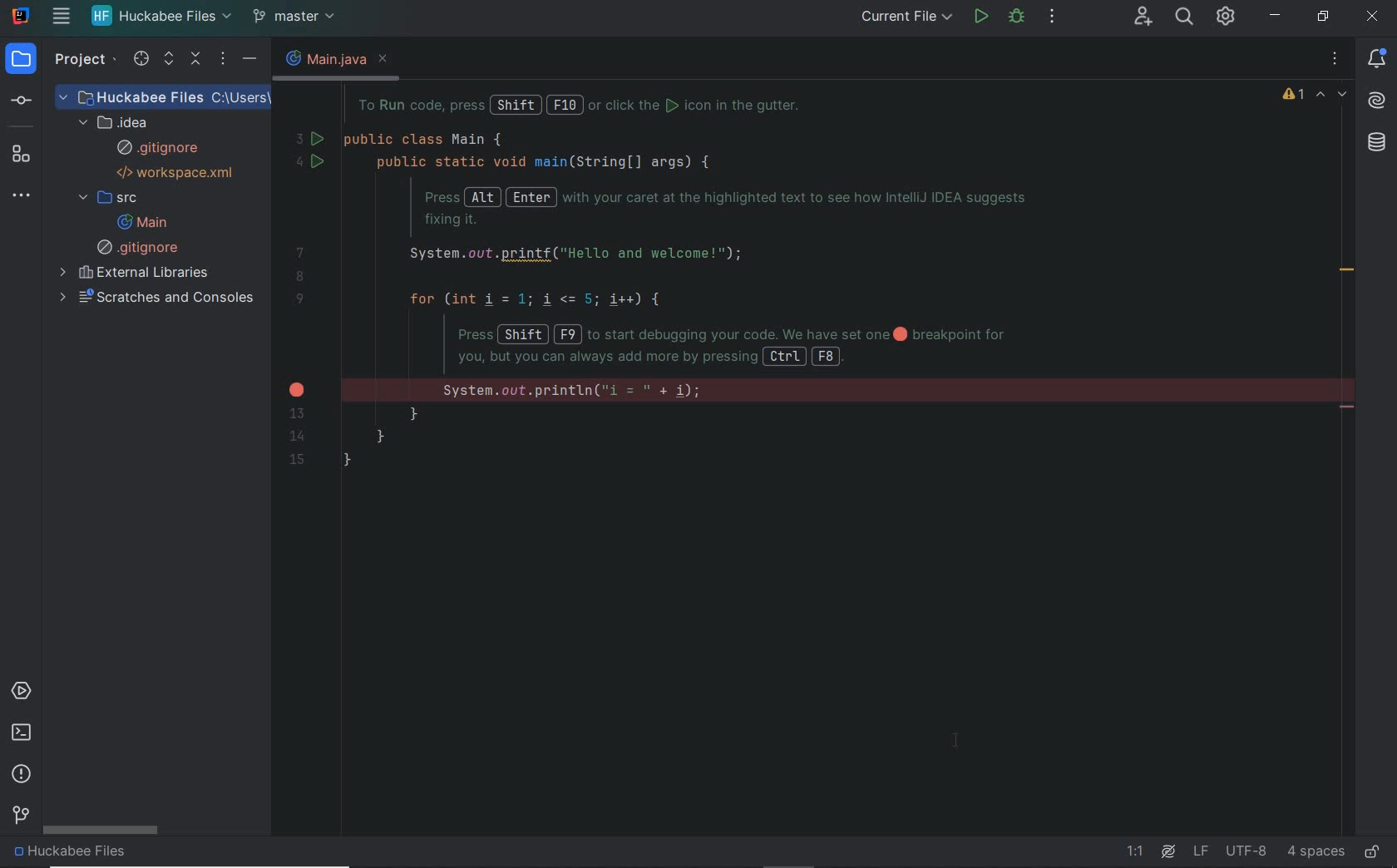 The width and height of the screenshot is (1397, 868). What do you see at coordinates (21, 733) in the screenshot?
I see `terminal` at bounding box center [21, 733].